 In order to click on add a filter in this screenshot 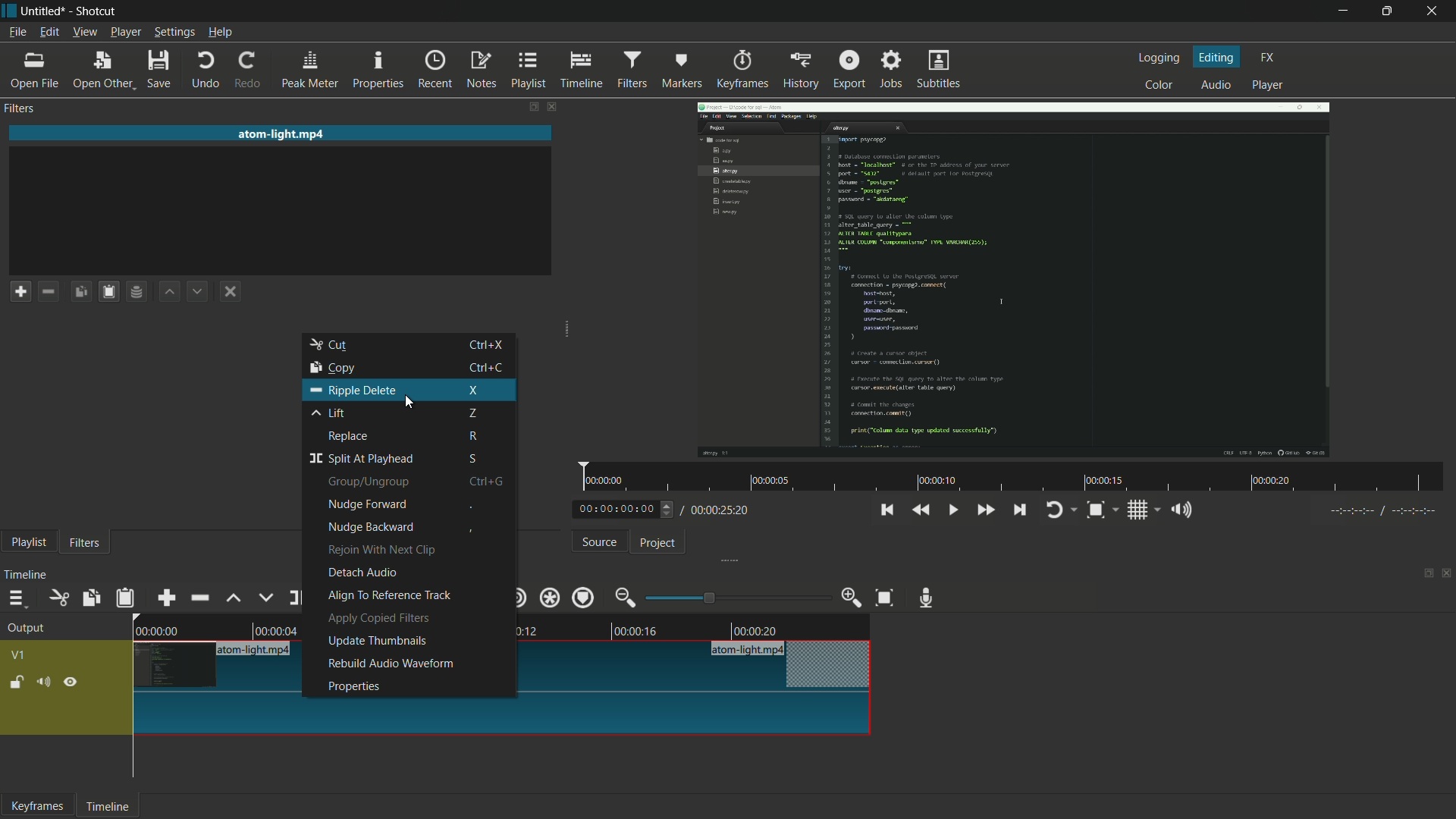, I will do `click(20, 291)`.